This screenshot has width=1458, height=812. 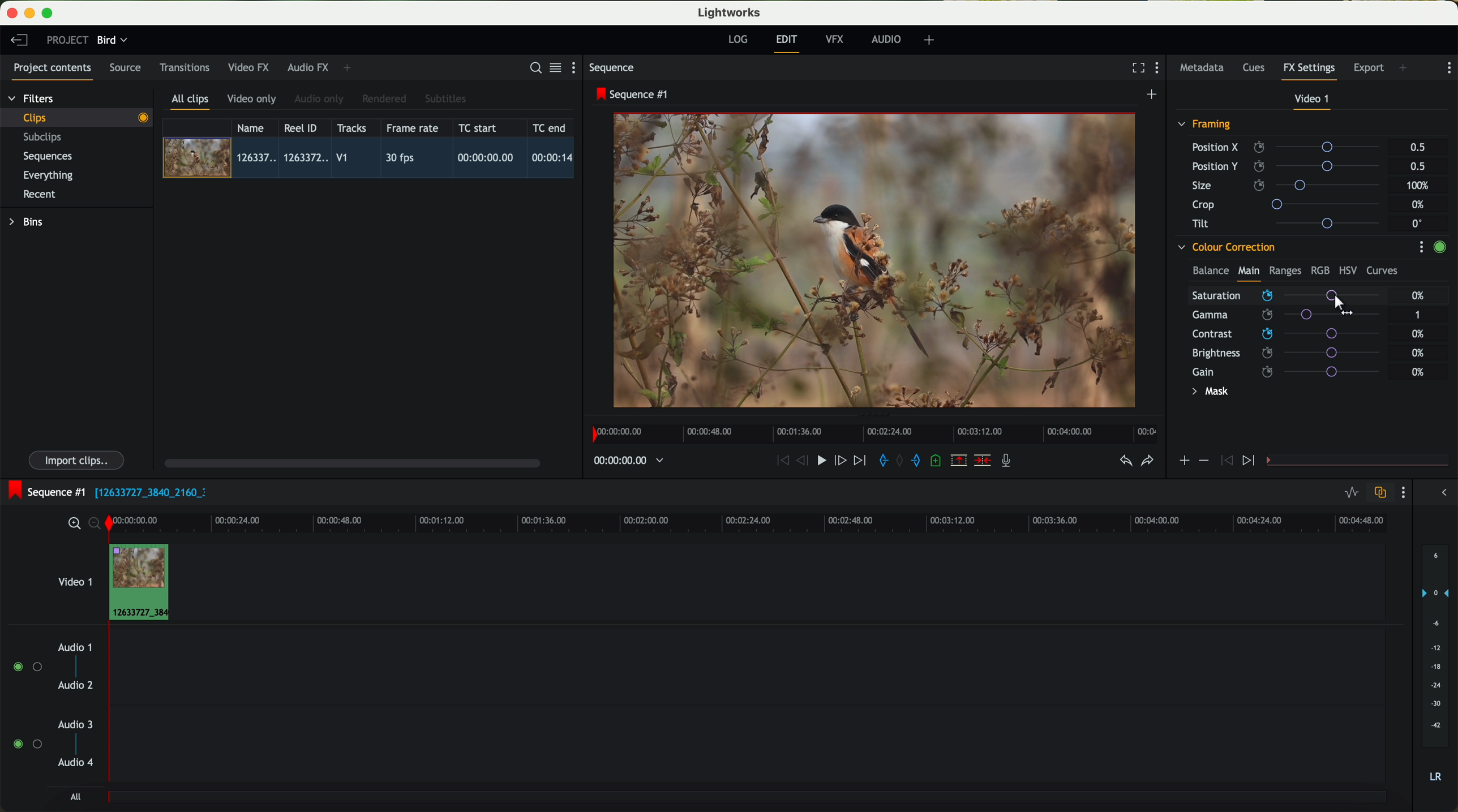 I want to click on video preview, so click(x=880, y=261).